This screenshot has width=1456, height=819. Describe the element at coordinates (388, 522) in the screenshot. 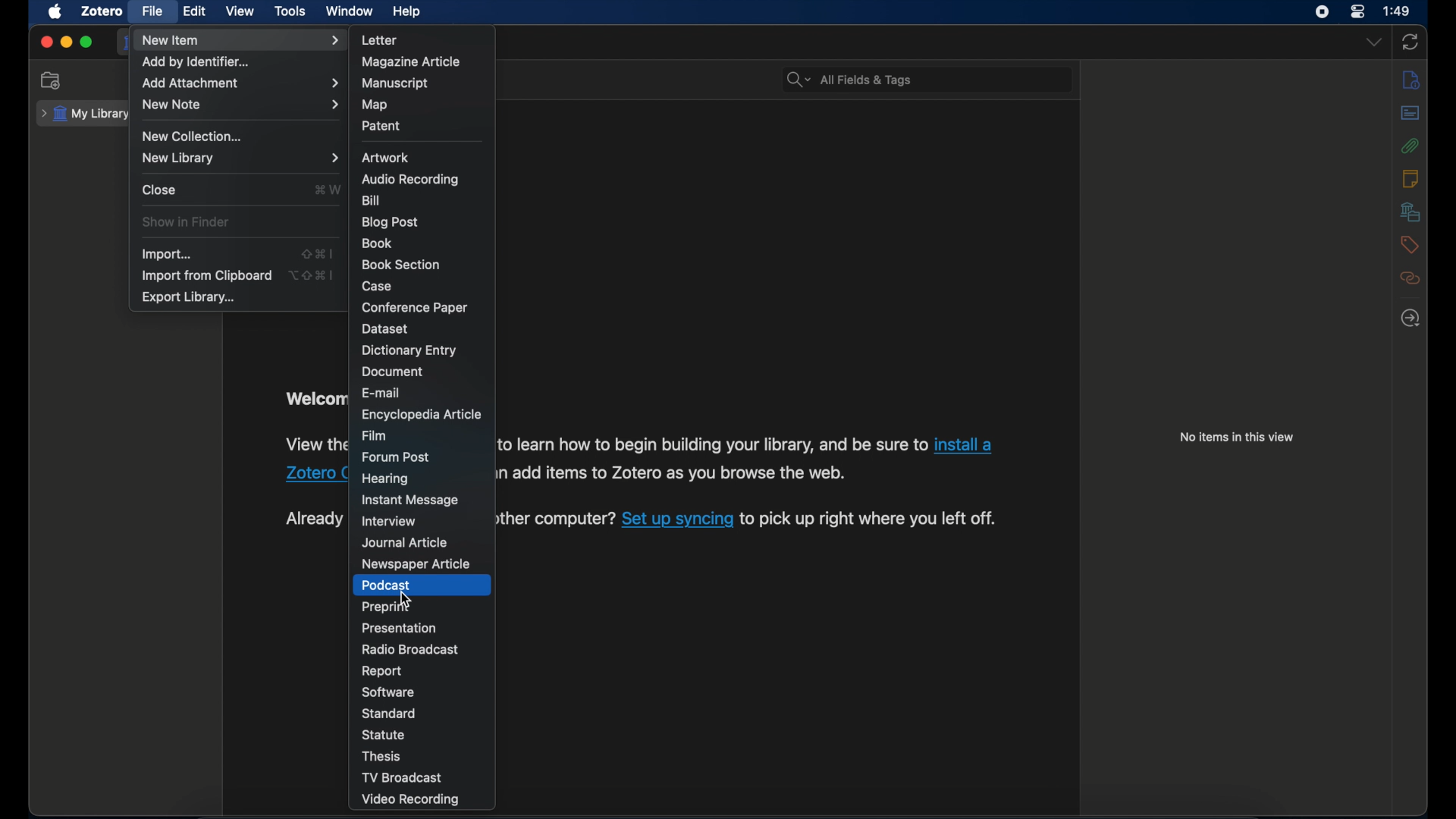

I see `interview` at that location.